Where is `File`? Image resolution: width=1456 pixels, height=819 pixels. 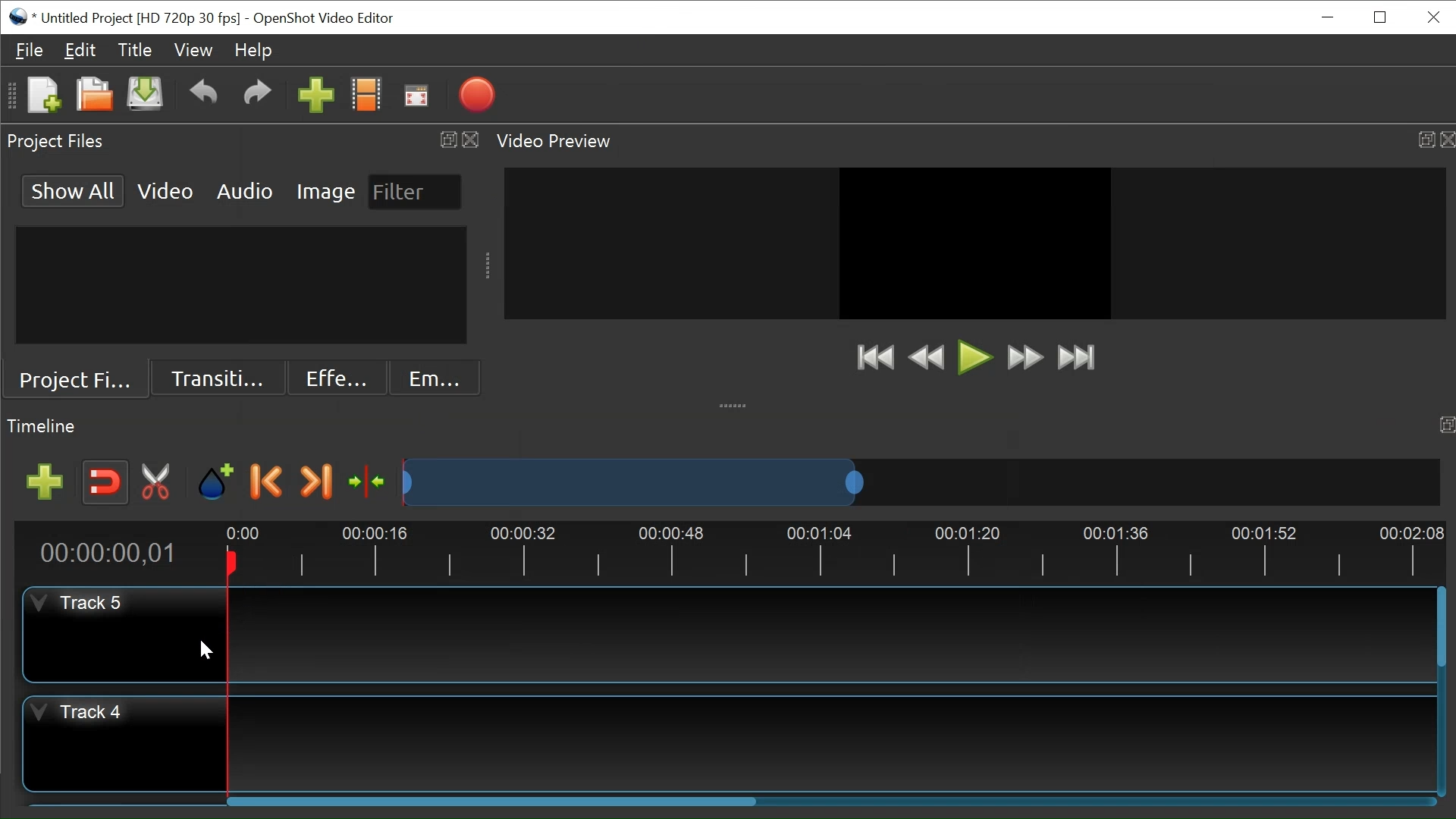 File is located at coordinates (30, 50).